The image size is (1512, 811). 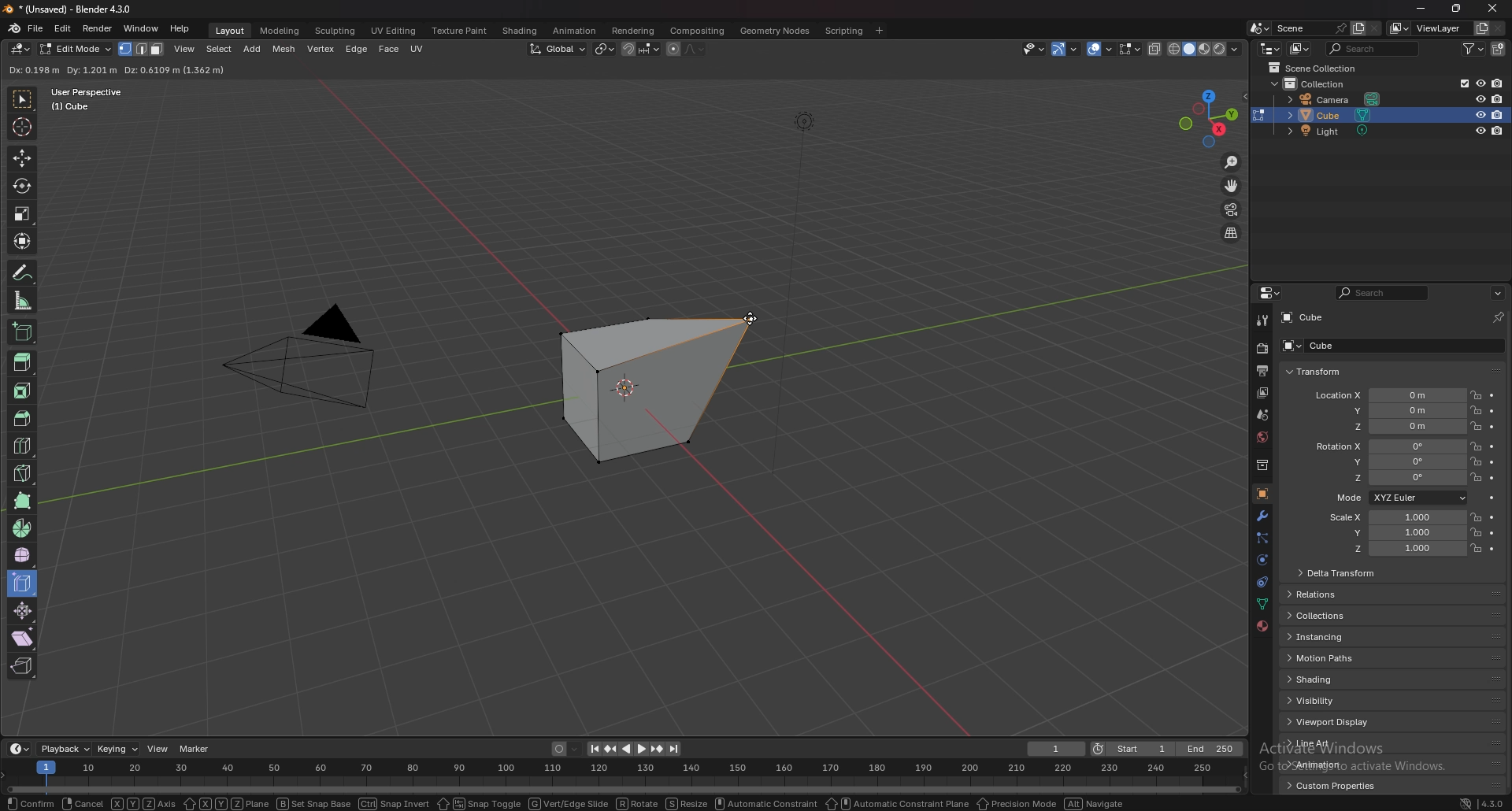 What do you see at coordinates (657, 750) in the screenshot?
I see `jump to keyframe` at bounding box center [657, 750].